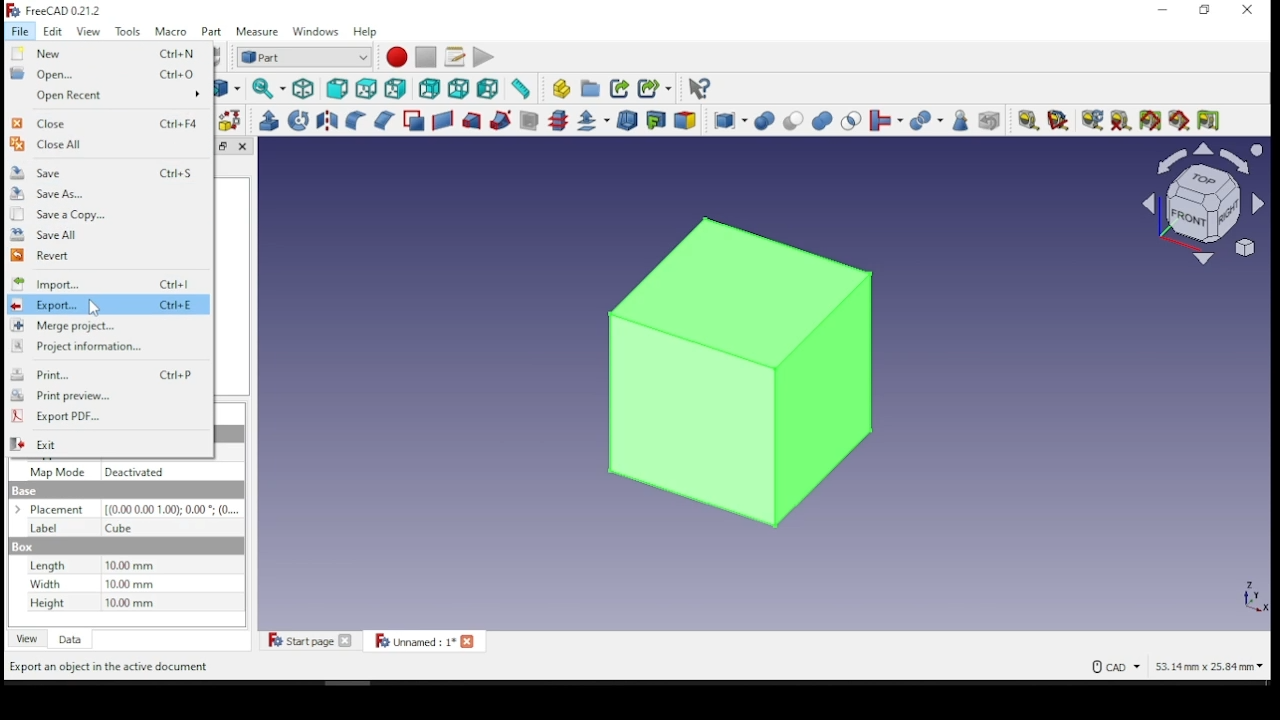  I want to click on switch between workbenches, so click(305, 58).